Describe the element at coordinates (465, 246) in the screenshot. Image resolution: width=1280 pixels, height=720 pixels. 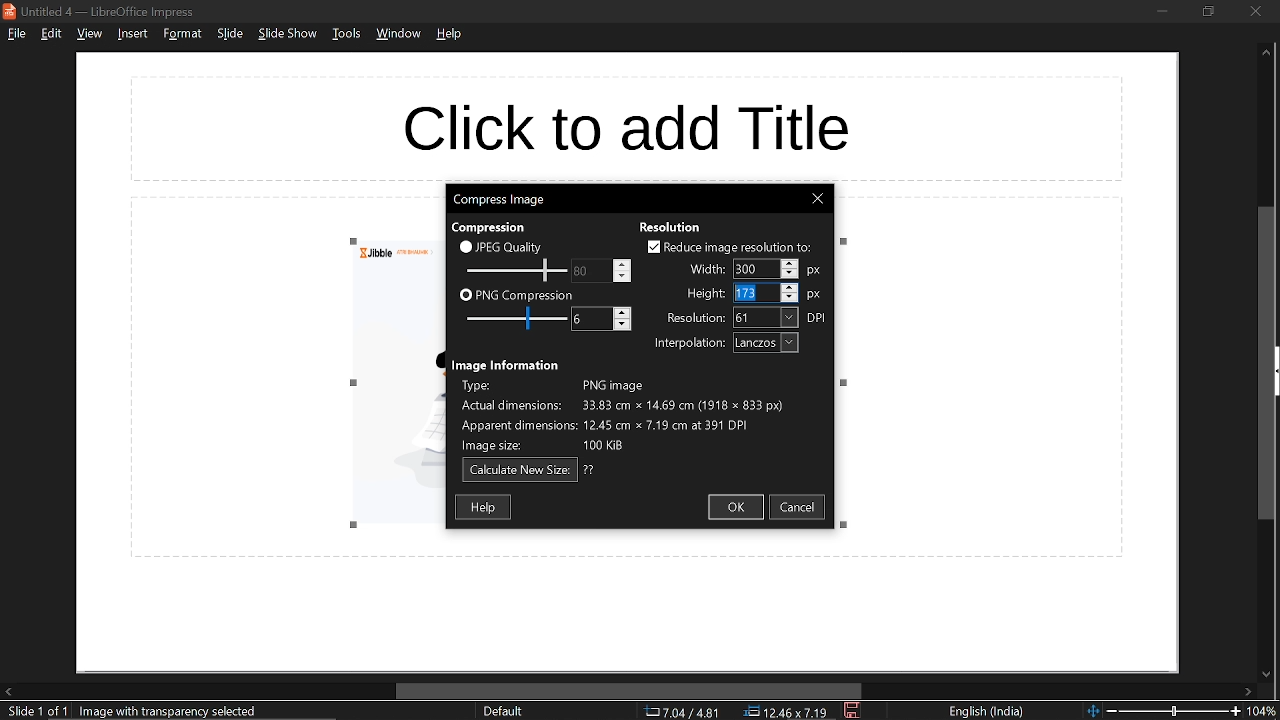
I see `checkbox` at that location.